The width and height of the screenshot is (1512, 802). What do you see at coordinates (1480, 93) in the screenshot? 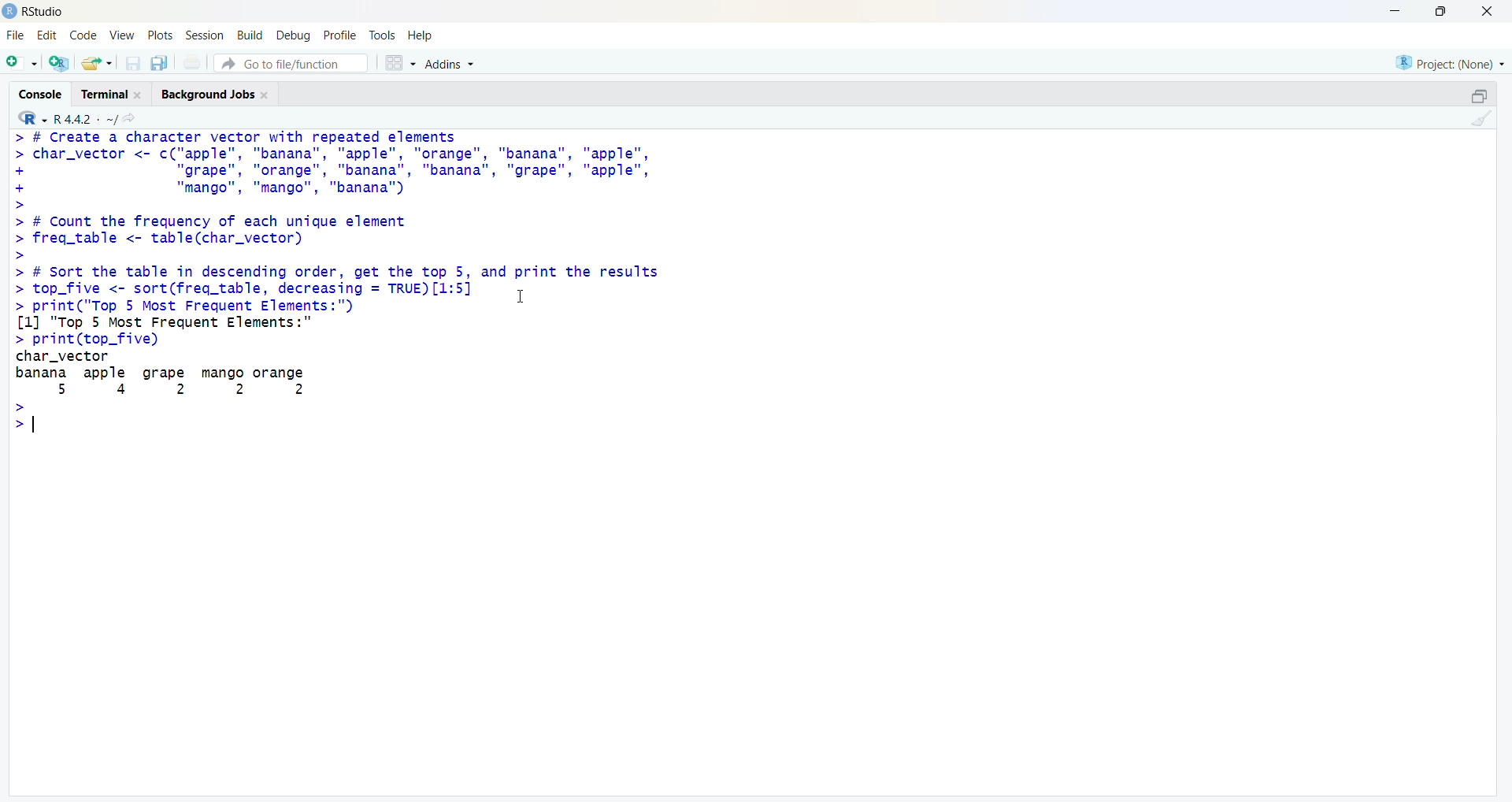
I see `Maximize` at bounding box center [1480, 93].